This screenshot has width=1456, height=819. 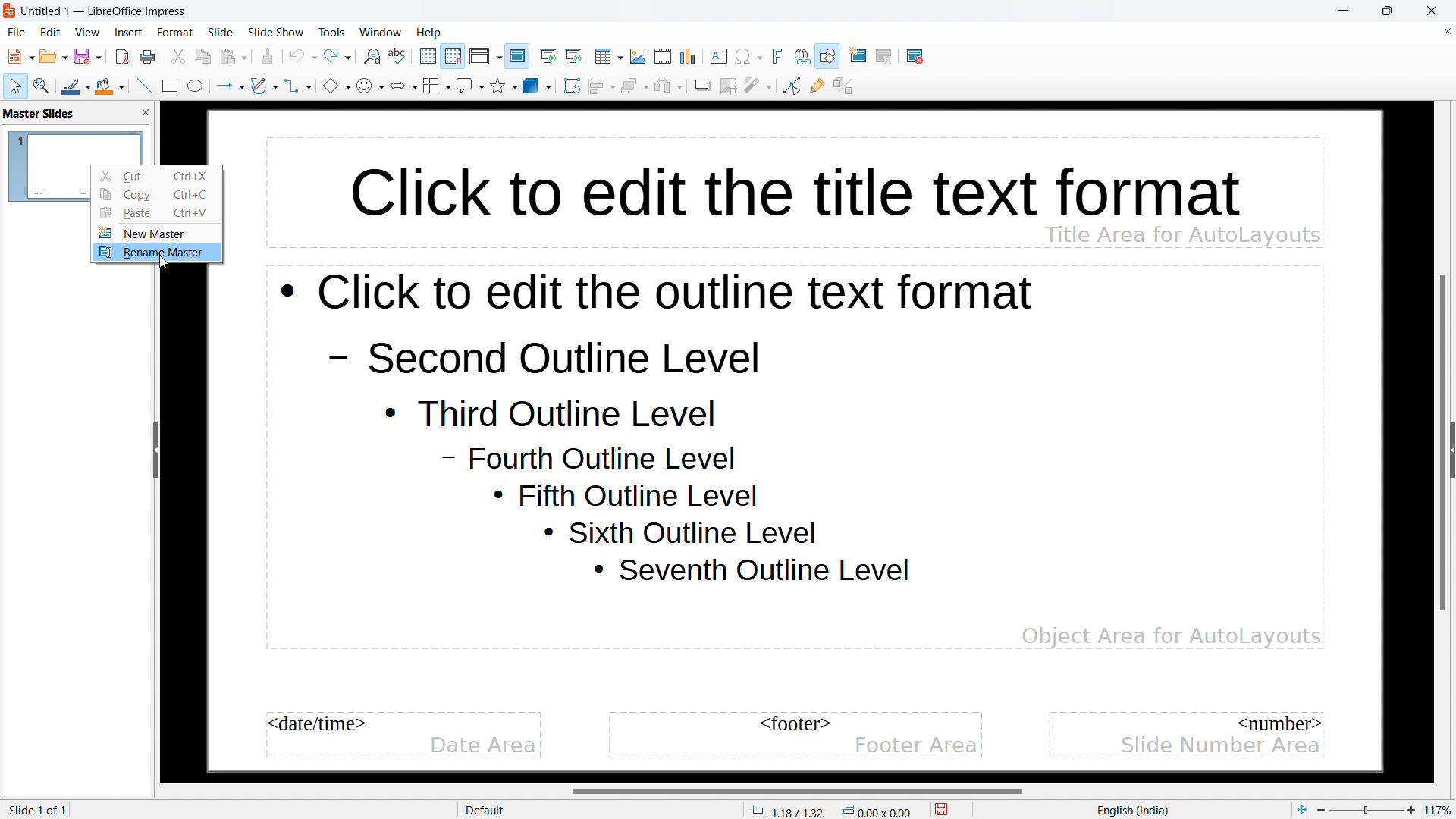 What do you see at coordinates (593, 461) in the screenshot?
I see `Fourth outline level` at bounding box center [593, 461].